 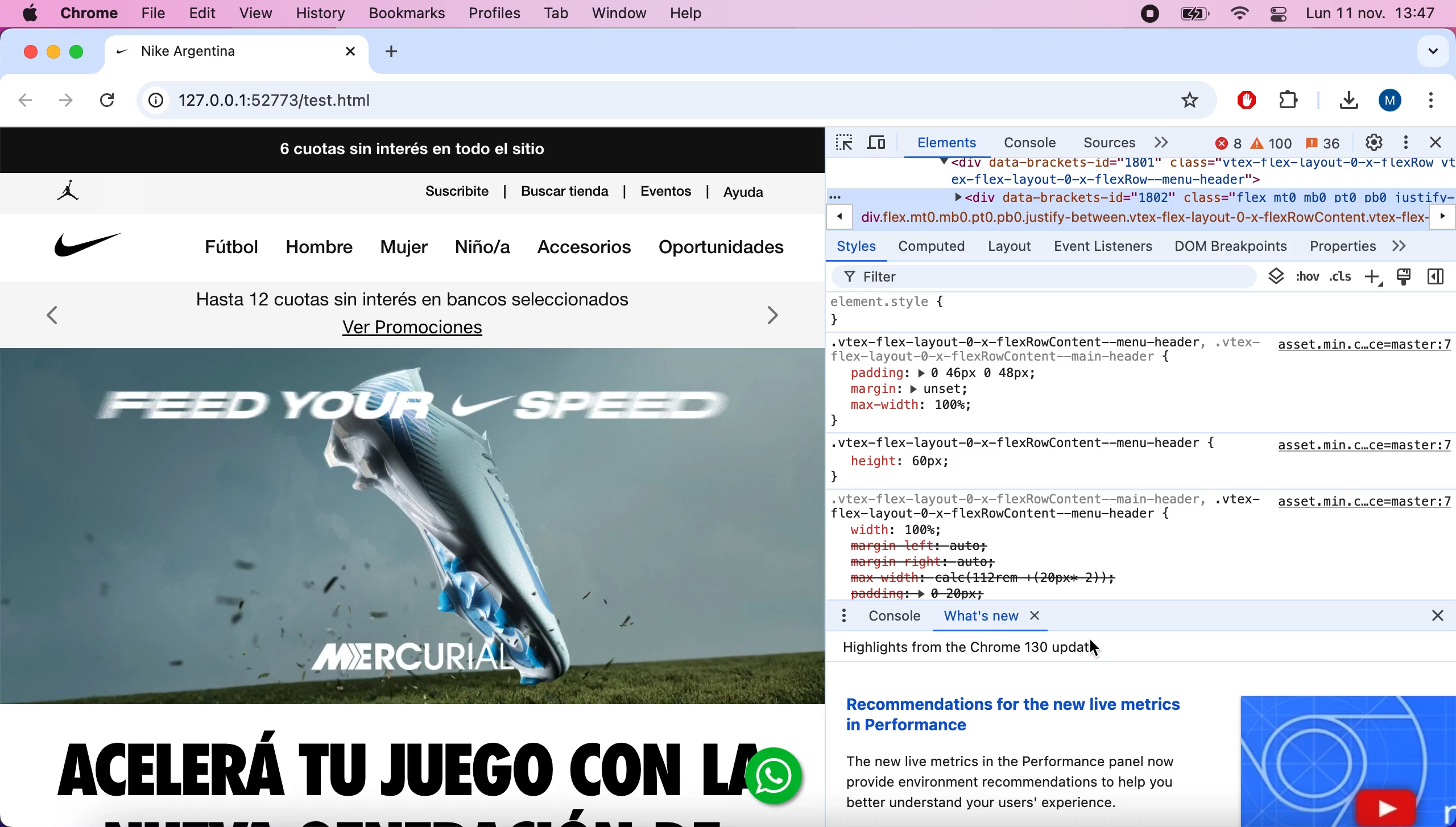 I want to click on lclose, so click(x=1424, y=617).